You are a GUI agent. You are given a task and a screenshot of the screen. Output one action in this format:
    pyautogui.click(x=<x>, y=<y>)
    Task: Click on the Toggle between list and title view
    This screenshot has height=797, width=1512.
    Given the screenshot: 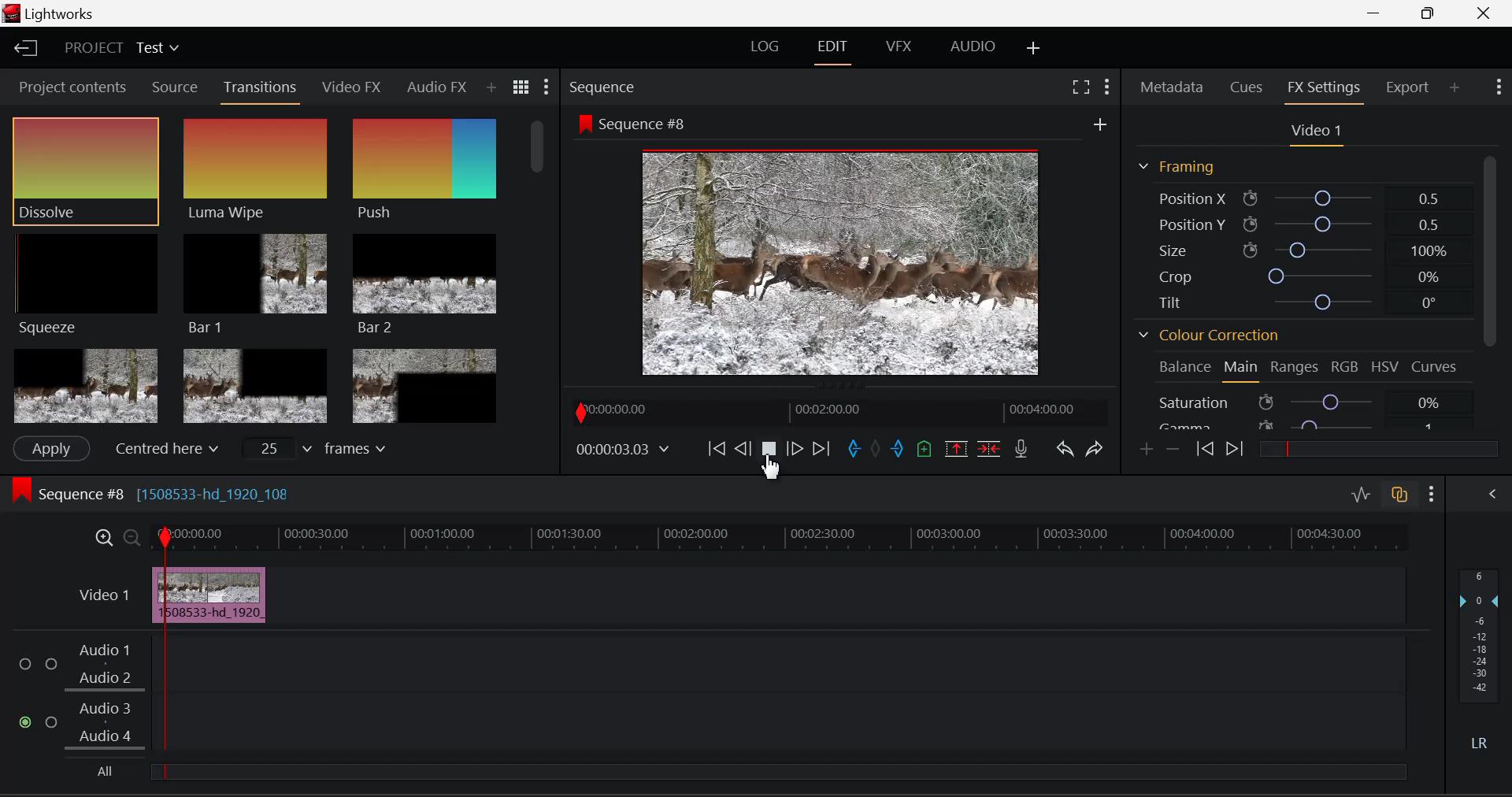 What is the action you would take?
    pyautogui.click(x=521, y=87)
    